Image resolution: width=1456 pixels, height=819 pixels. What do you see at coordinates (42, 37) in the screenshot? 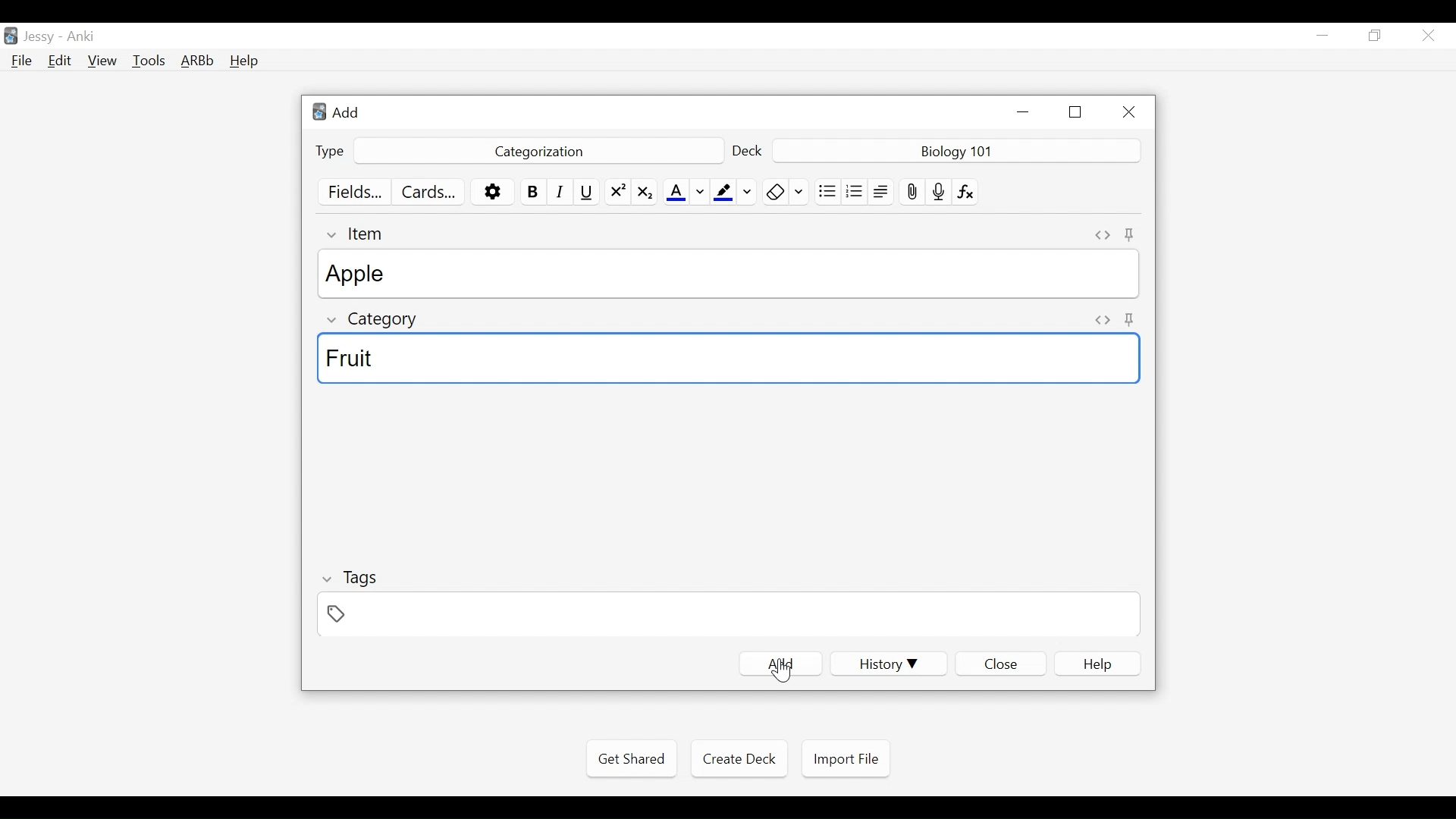
I see `User Nmae` at bounding box center [42, 37].